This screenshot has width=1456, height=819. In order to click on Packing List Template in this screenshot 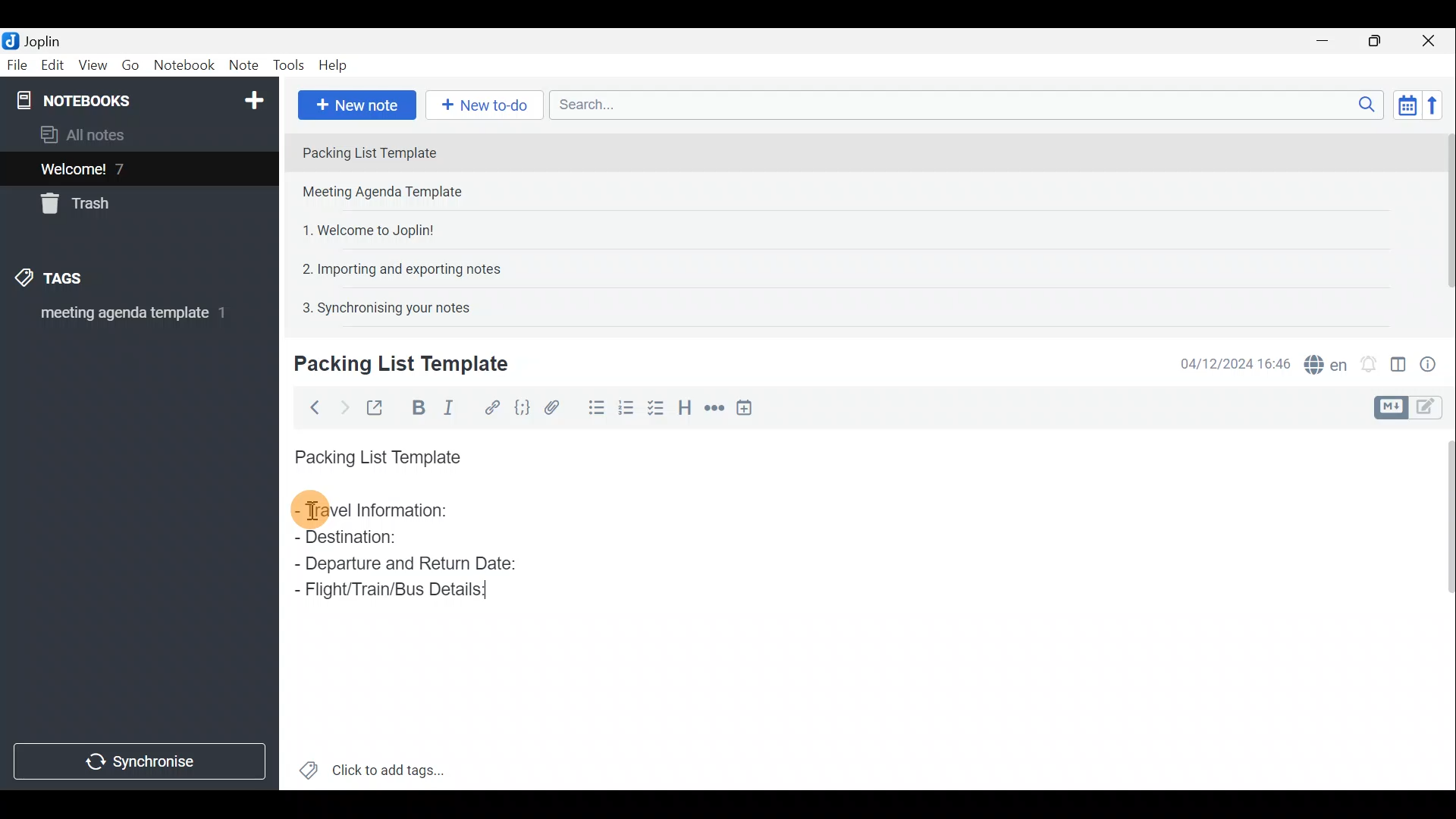, I will do `click(375, 453)`.